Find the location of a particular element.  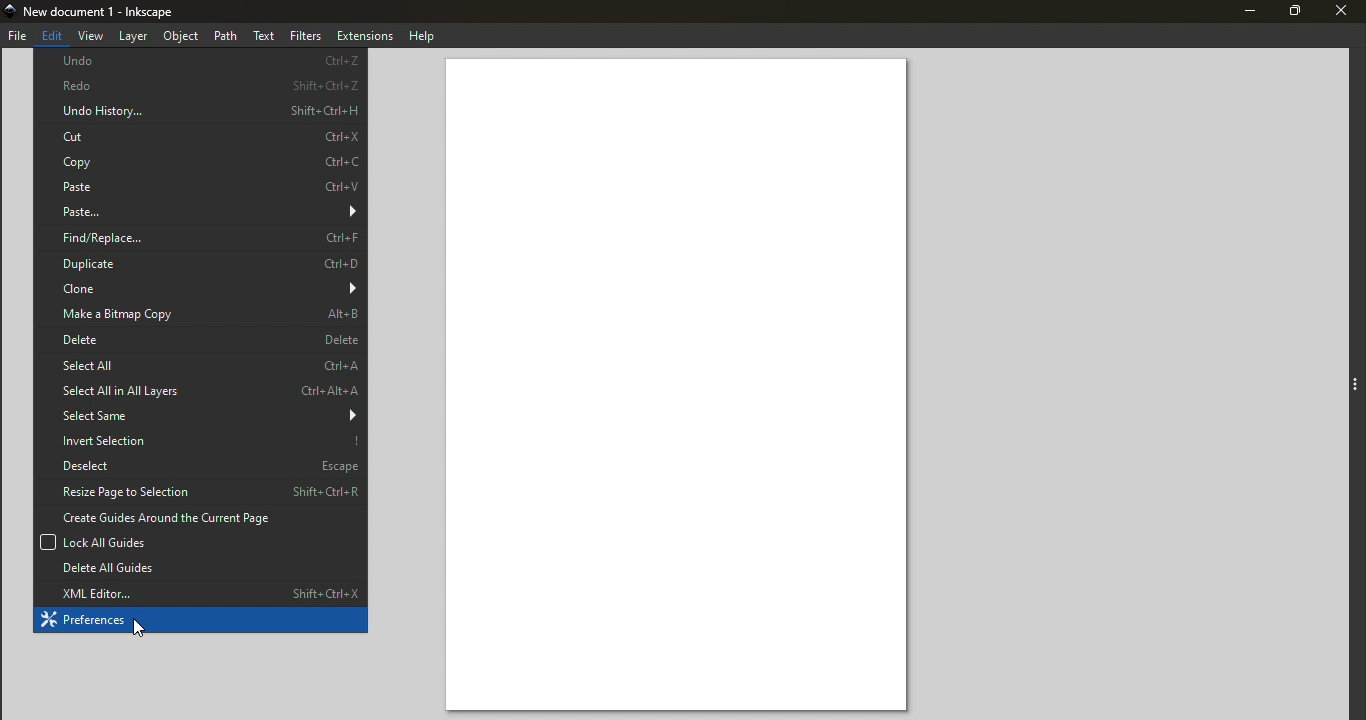

Find/replace is located at coordinates (196, 235).